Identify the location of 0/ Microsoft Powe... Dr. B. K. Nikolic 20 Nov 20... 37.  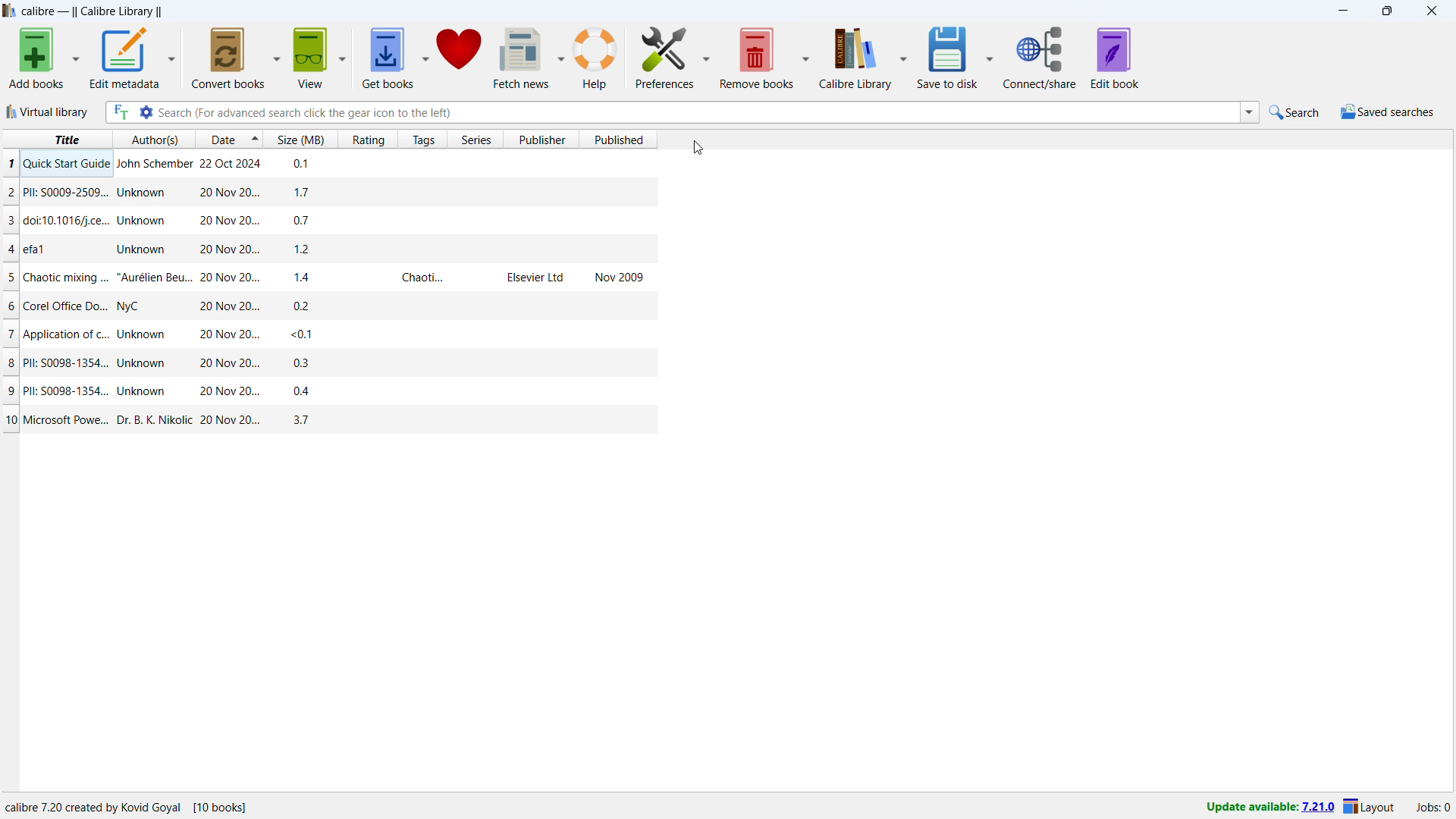
(328, 421).